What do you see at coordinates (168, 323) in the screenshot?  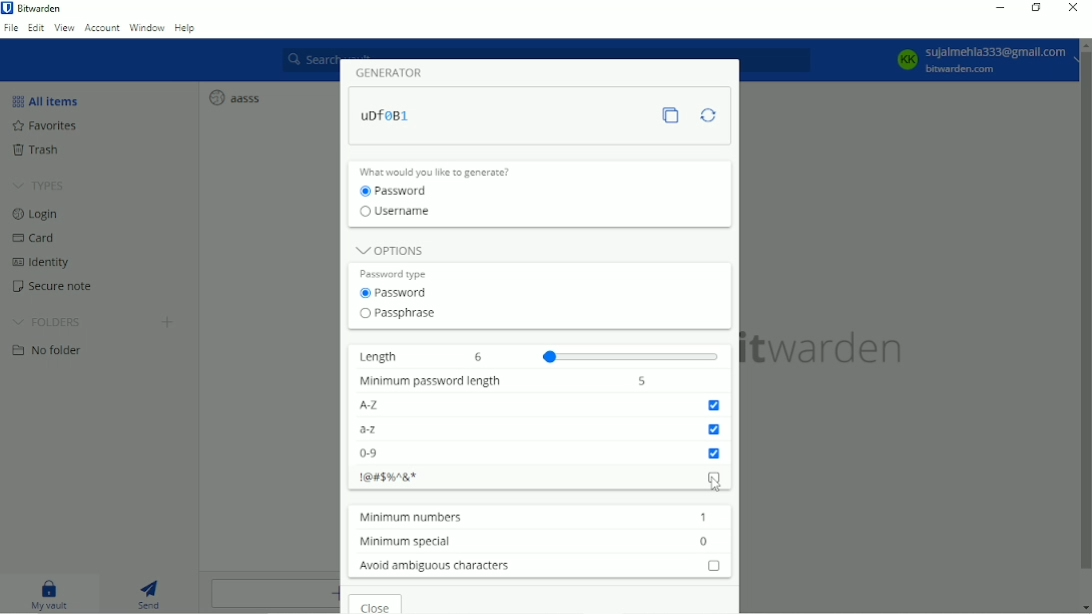 I see `Create folder` at bounding box center [168, 323].